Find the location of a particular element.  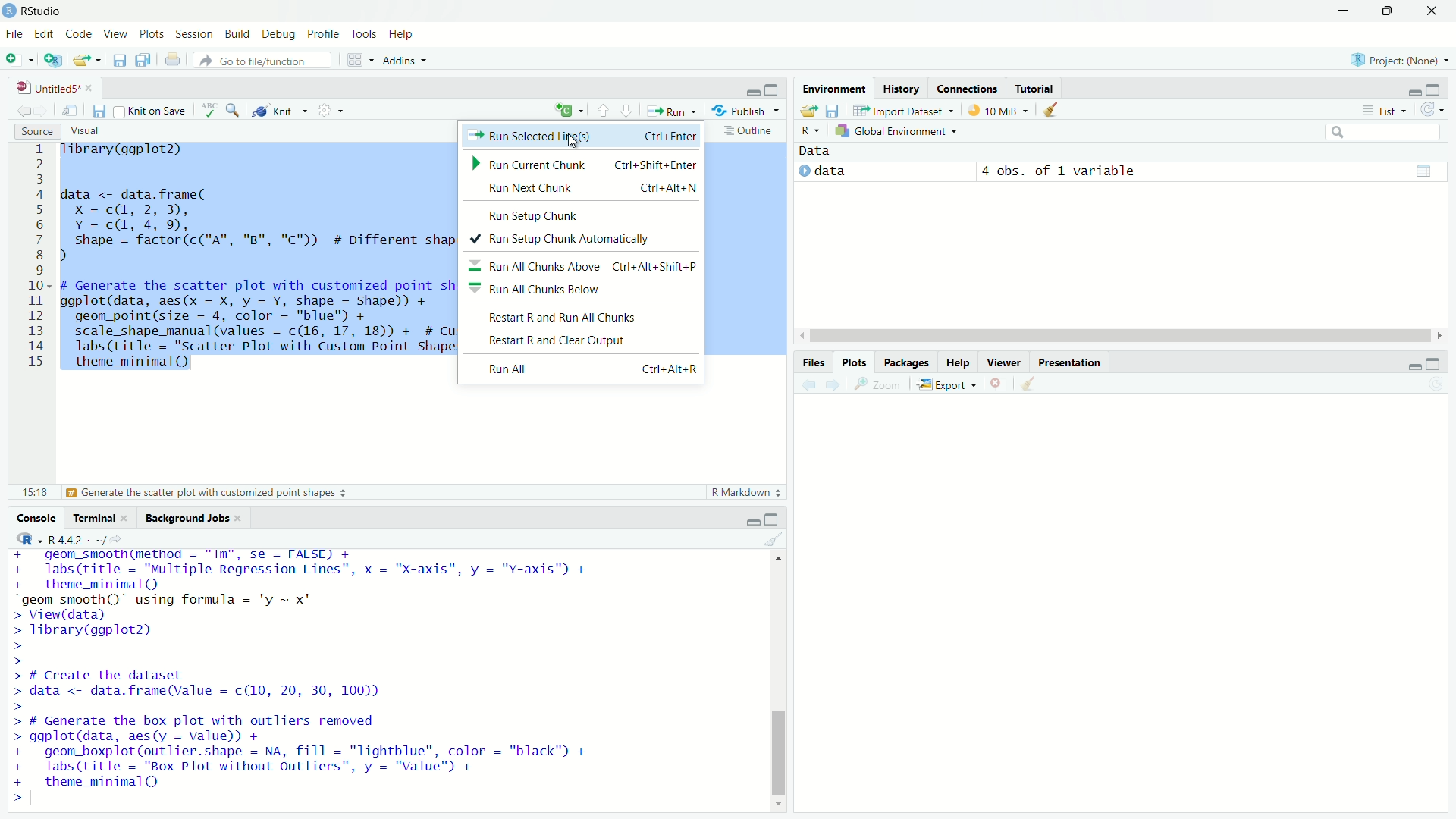

Untitled5* is located at coordinates (46, 88).